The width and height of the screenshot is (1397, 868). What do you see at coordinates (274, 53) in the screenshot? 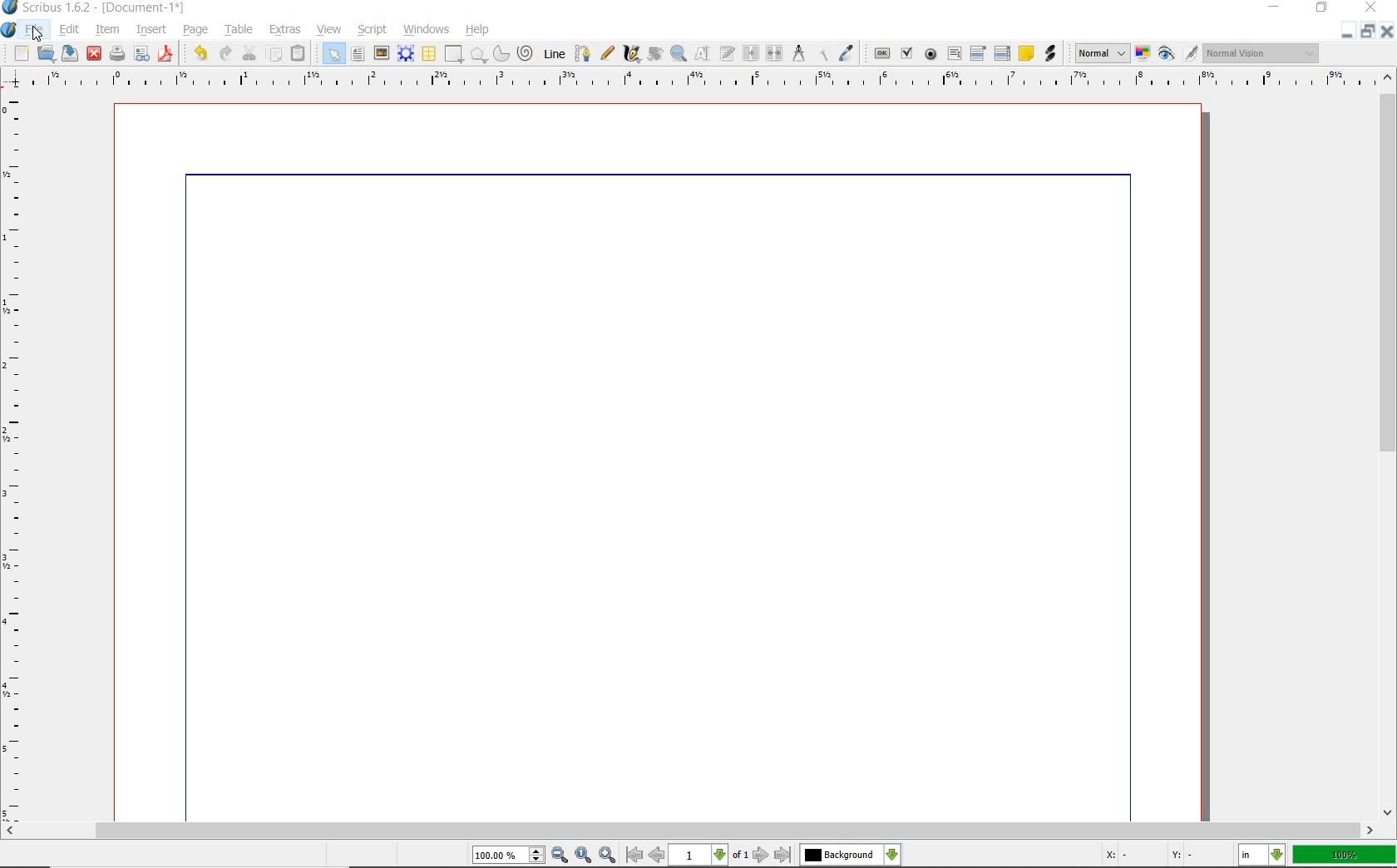
I see `copy` at bounding box center [274, 53].